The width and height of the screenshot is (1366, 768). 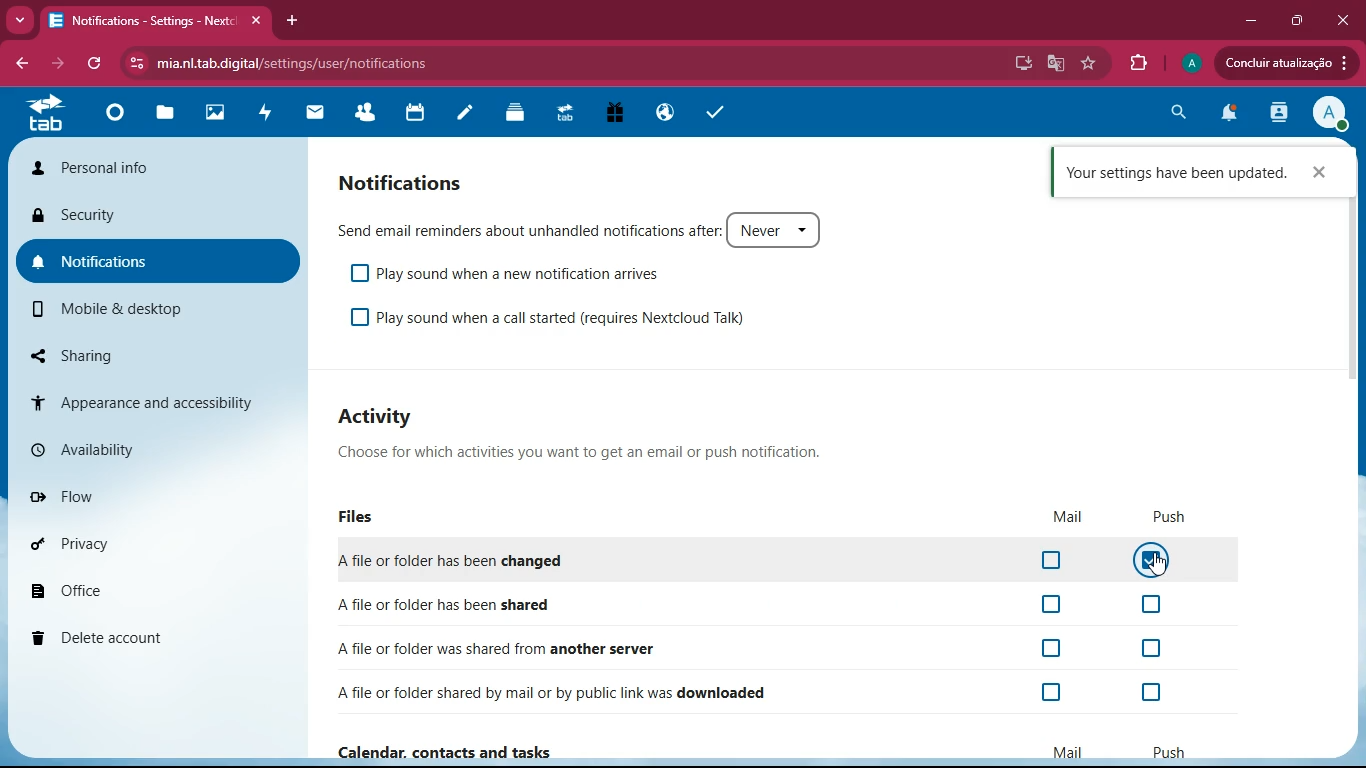 I want to click on tab, so click(x=45, y=115).